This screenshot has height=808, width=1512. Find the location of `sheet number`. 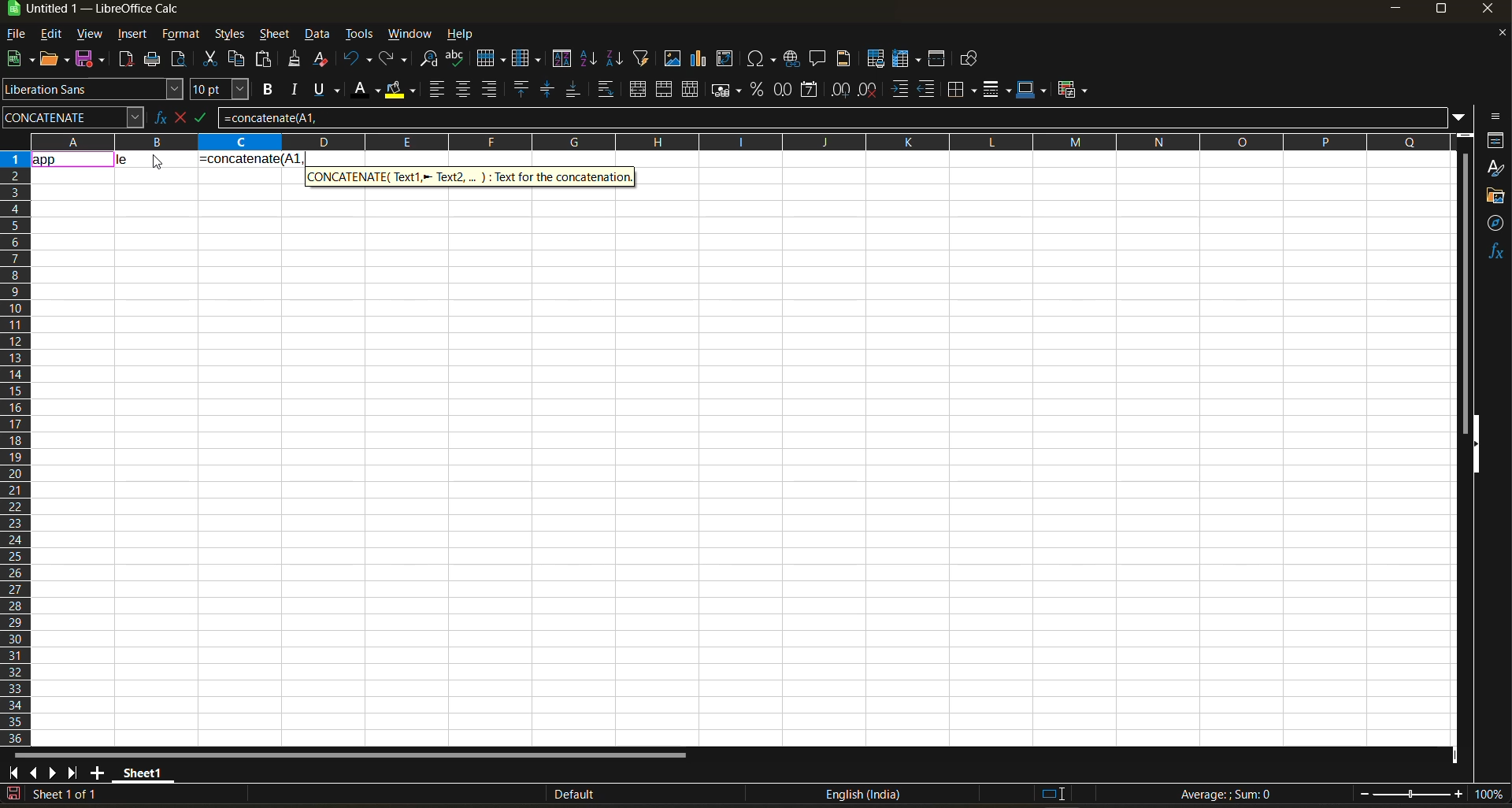

sheet number is located at coordinates (69, 794).